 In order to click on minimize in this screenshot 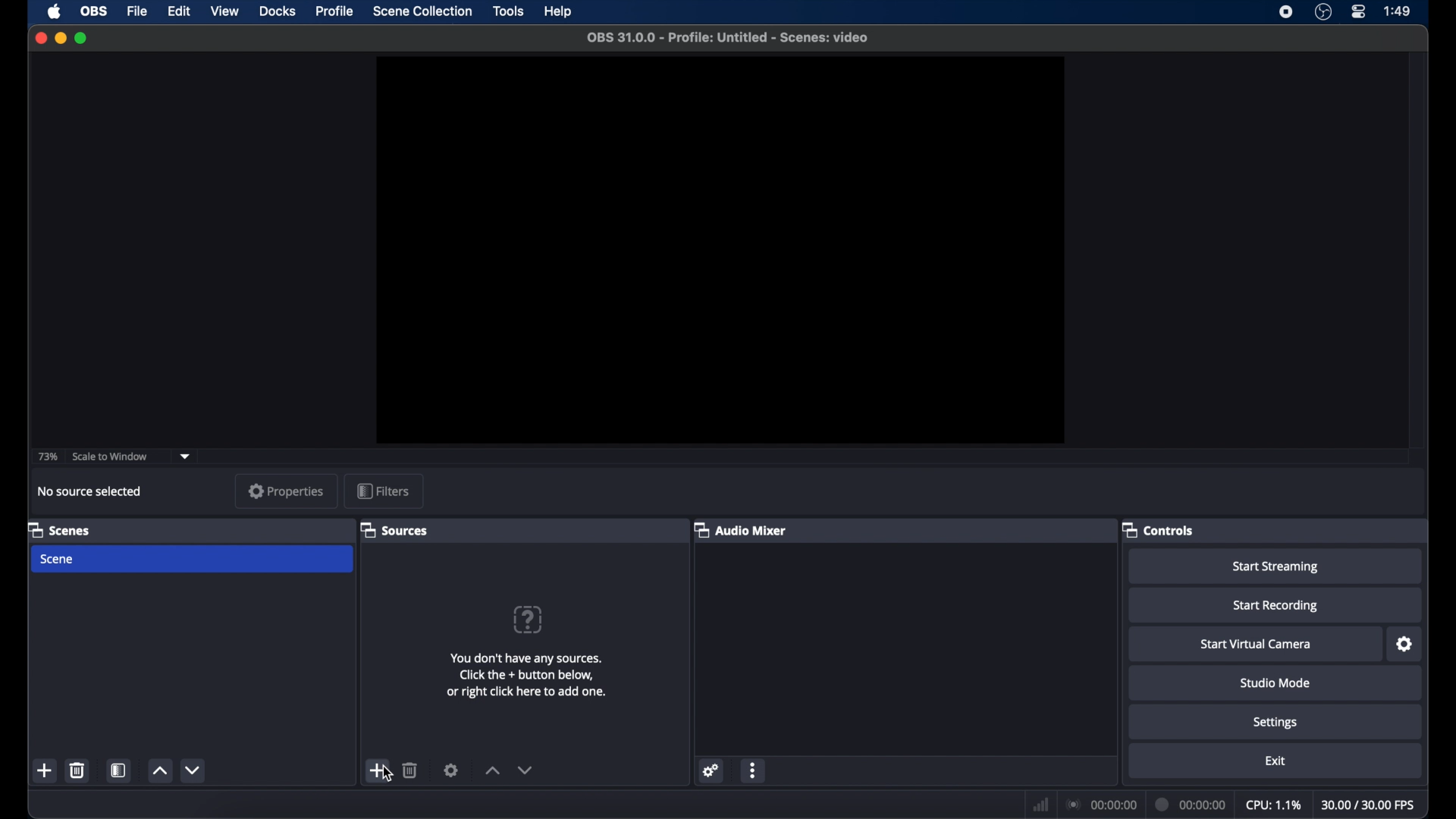, I will do `click(61, 38)`.